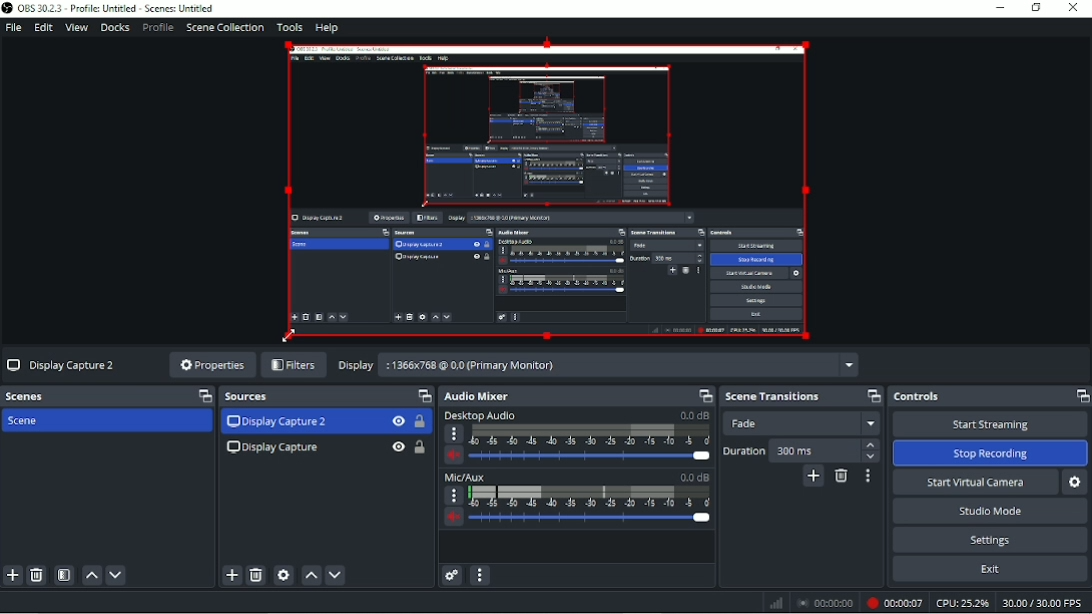 This screenshot has height=614, width=1092. What do you see at coordinates (283, 576) in the screenshot?
I see `Open source properties` at bounding box center [283, 576].